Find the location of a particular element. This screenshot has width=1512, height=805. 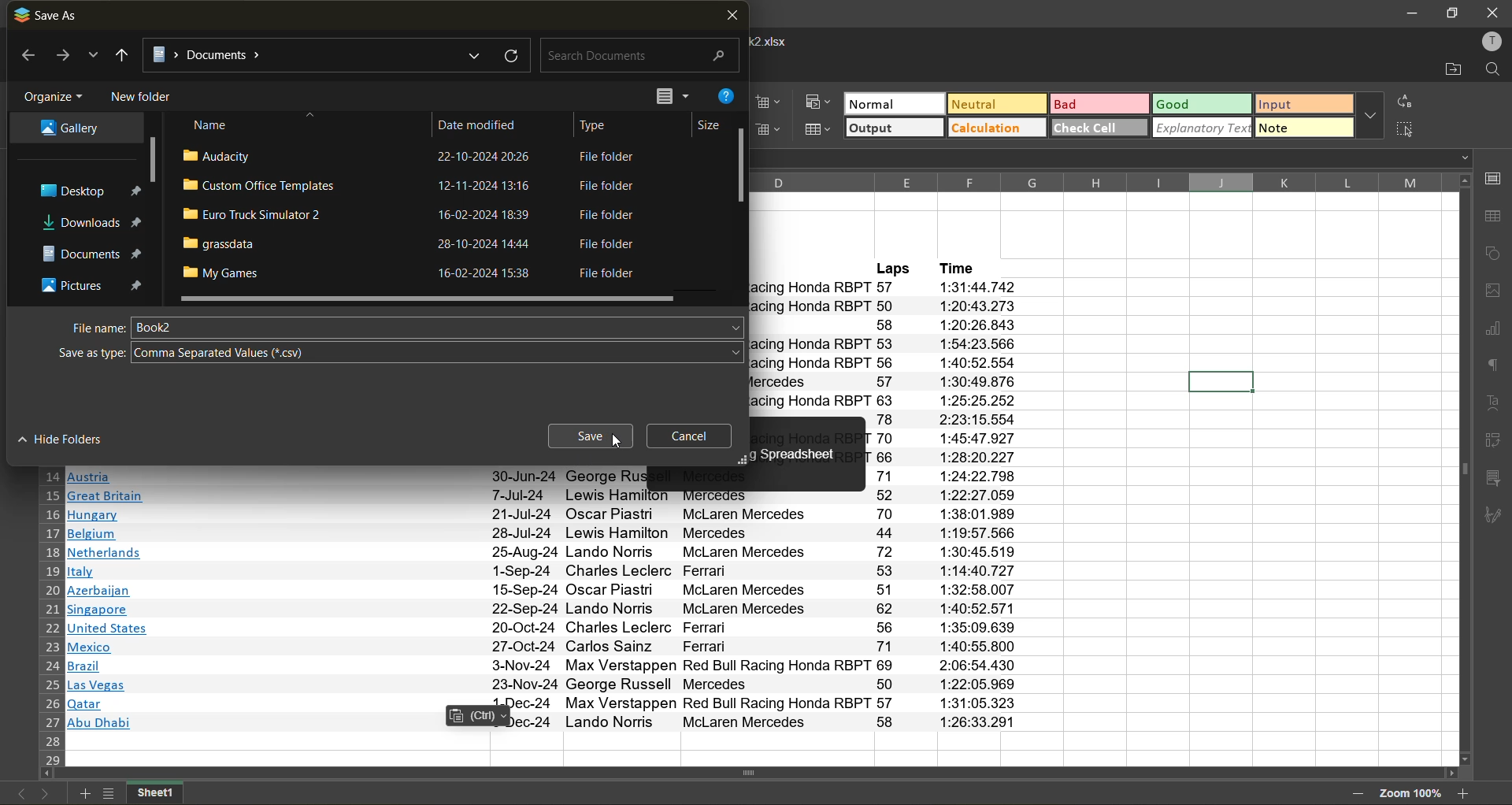

size is located at coordinates (703, 124).